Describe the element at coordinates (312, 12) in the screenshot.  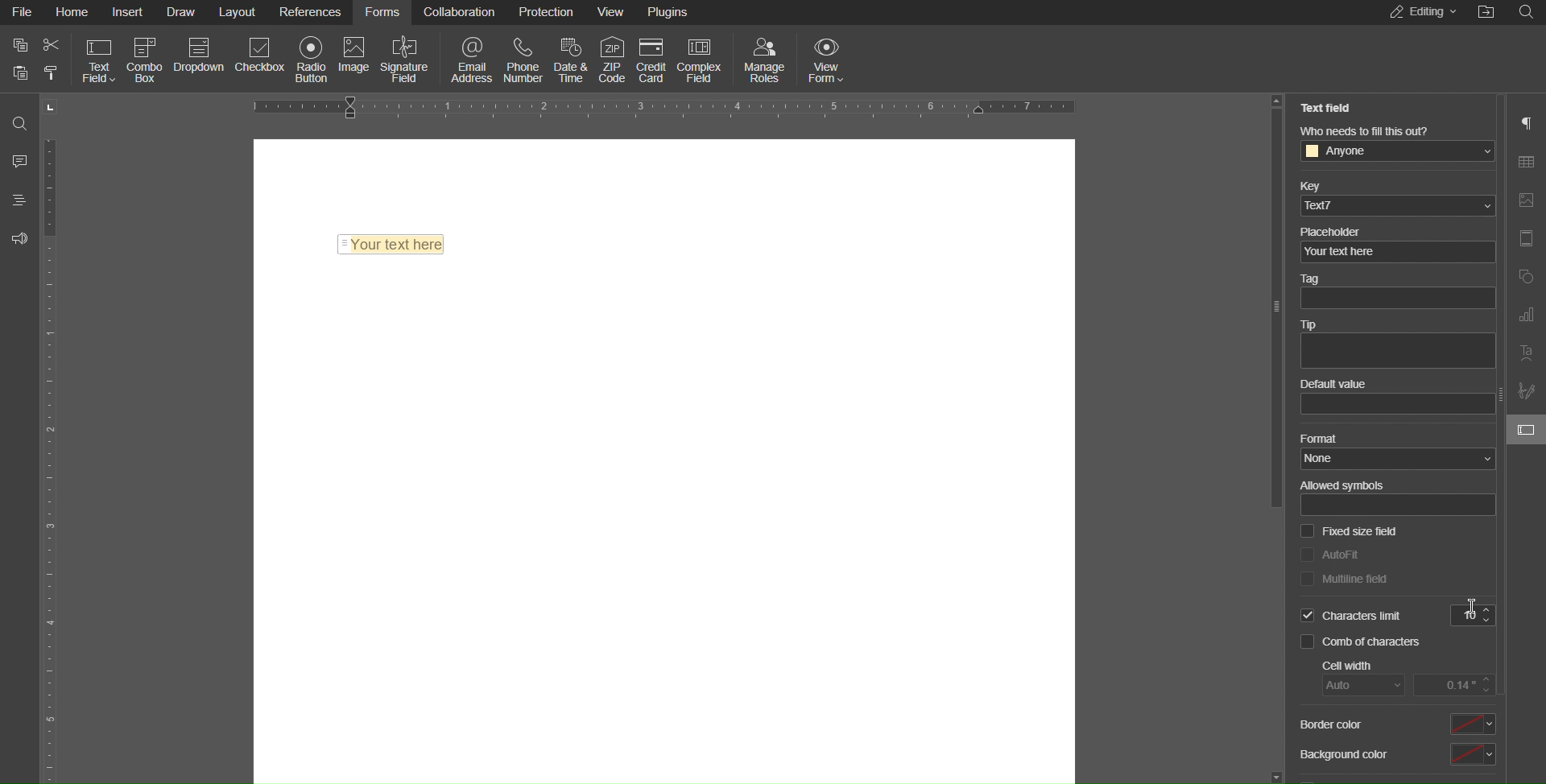
I see `References` at that location.